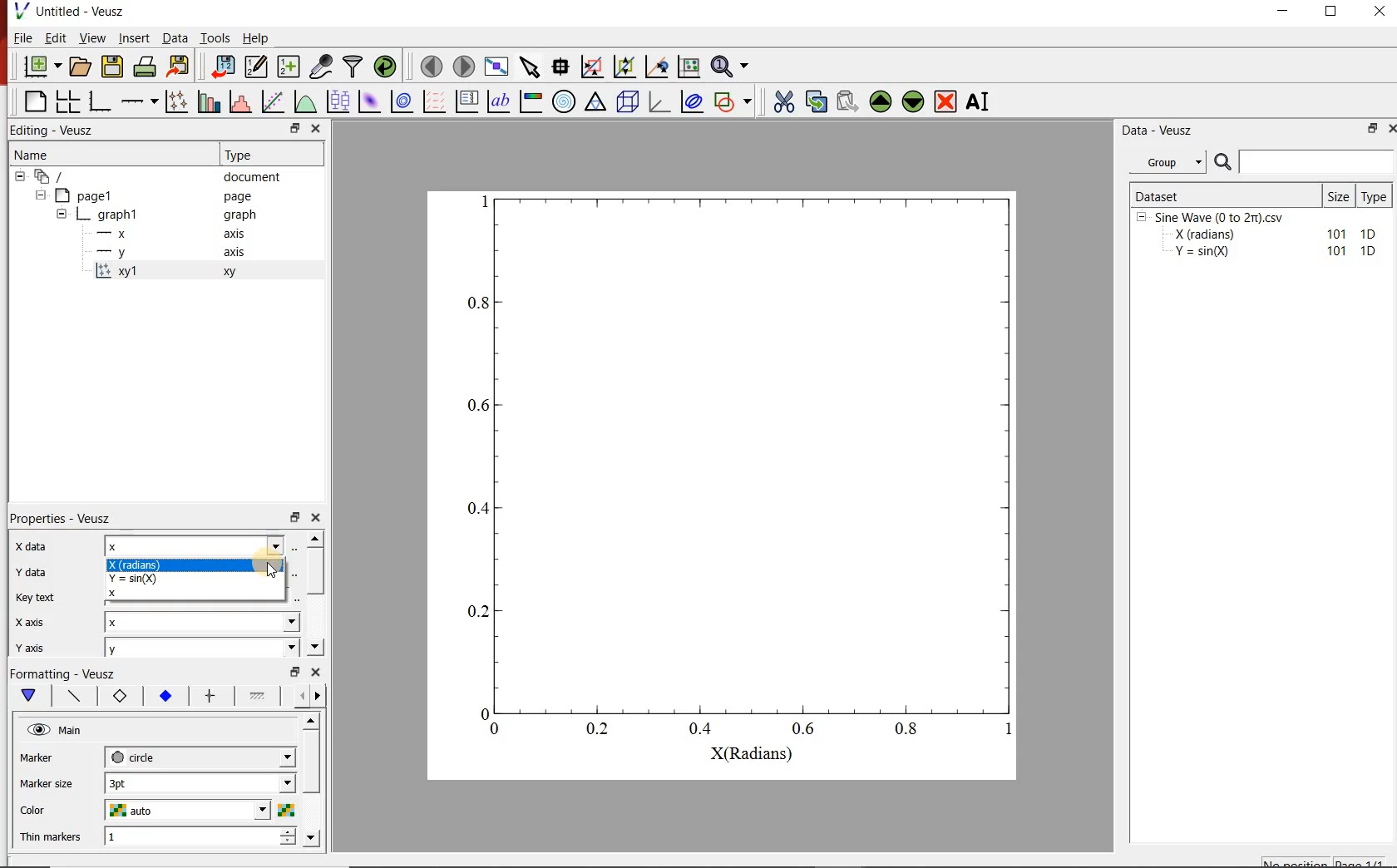 The height and width of the screenshot is (868, 1397). What do you see at coordinates (215, 37) in the screenshot?
I see `Tools` at bounding box center [215, 37].